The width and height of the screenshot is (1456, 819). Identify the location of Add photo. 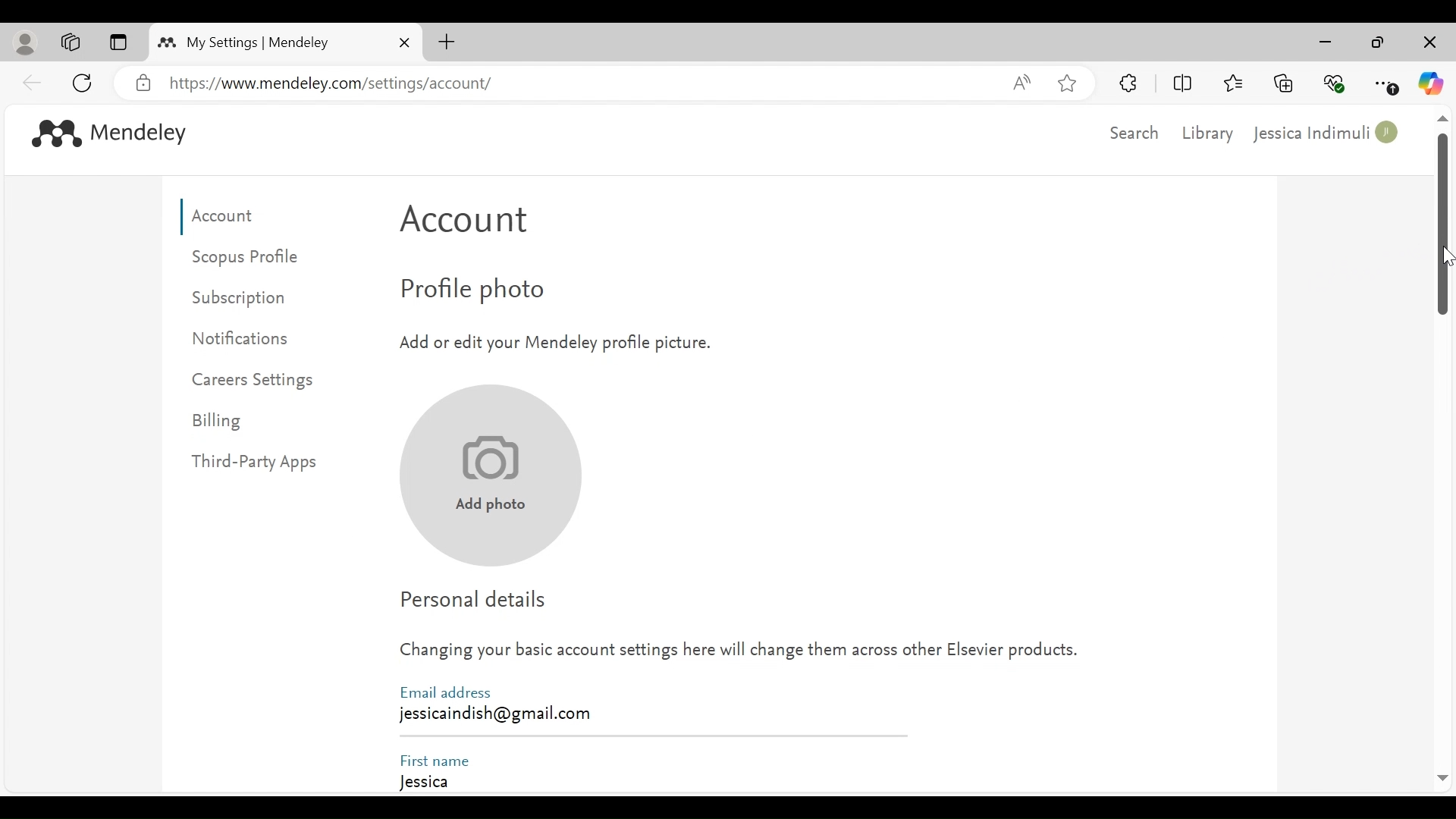
(487, 476).